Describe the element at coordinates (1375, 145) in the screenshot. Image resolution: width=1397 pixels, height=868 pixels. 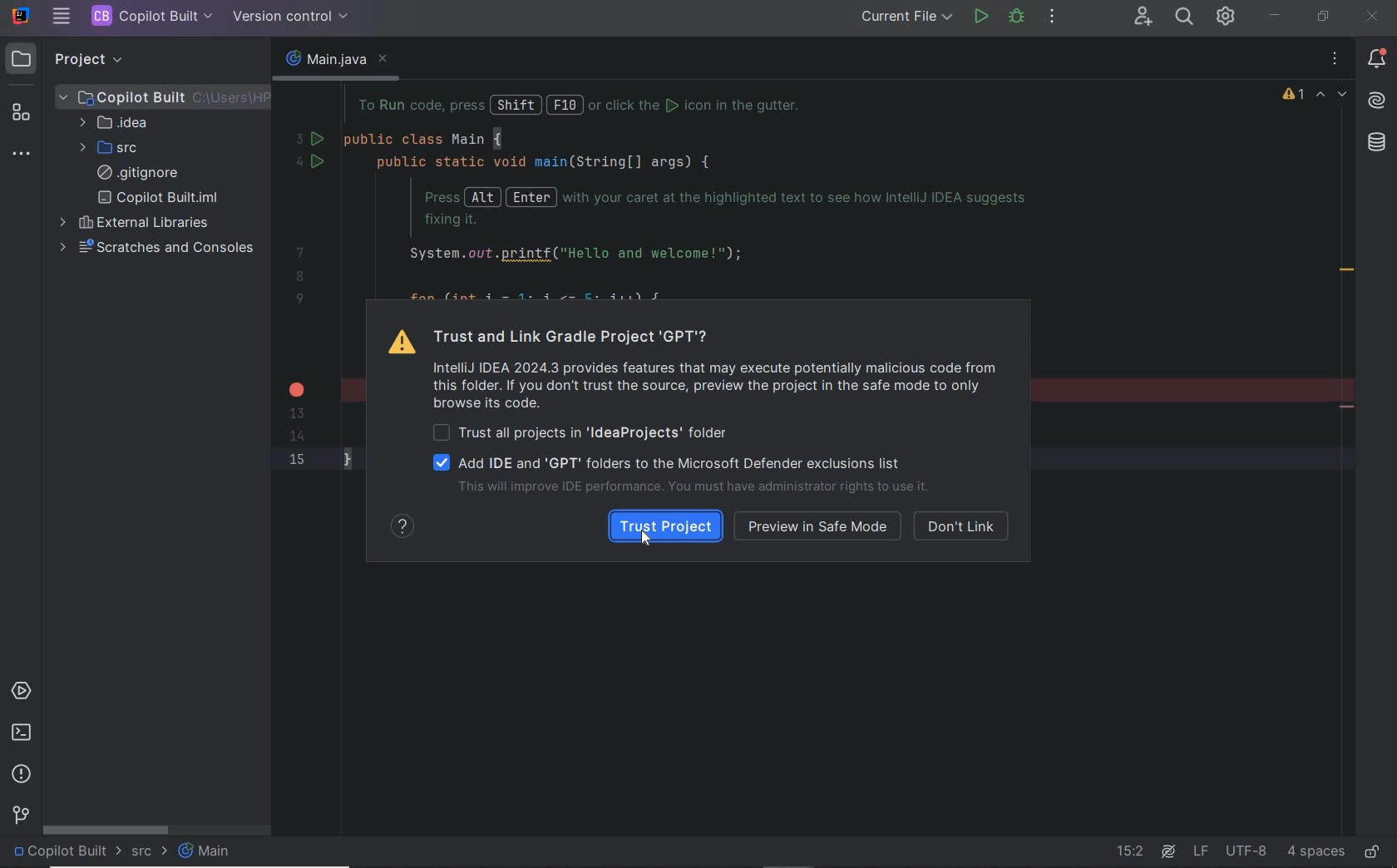
I see `database` at that location.